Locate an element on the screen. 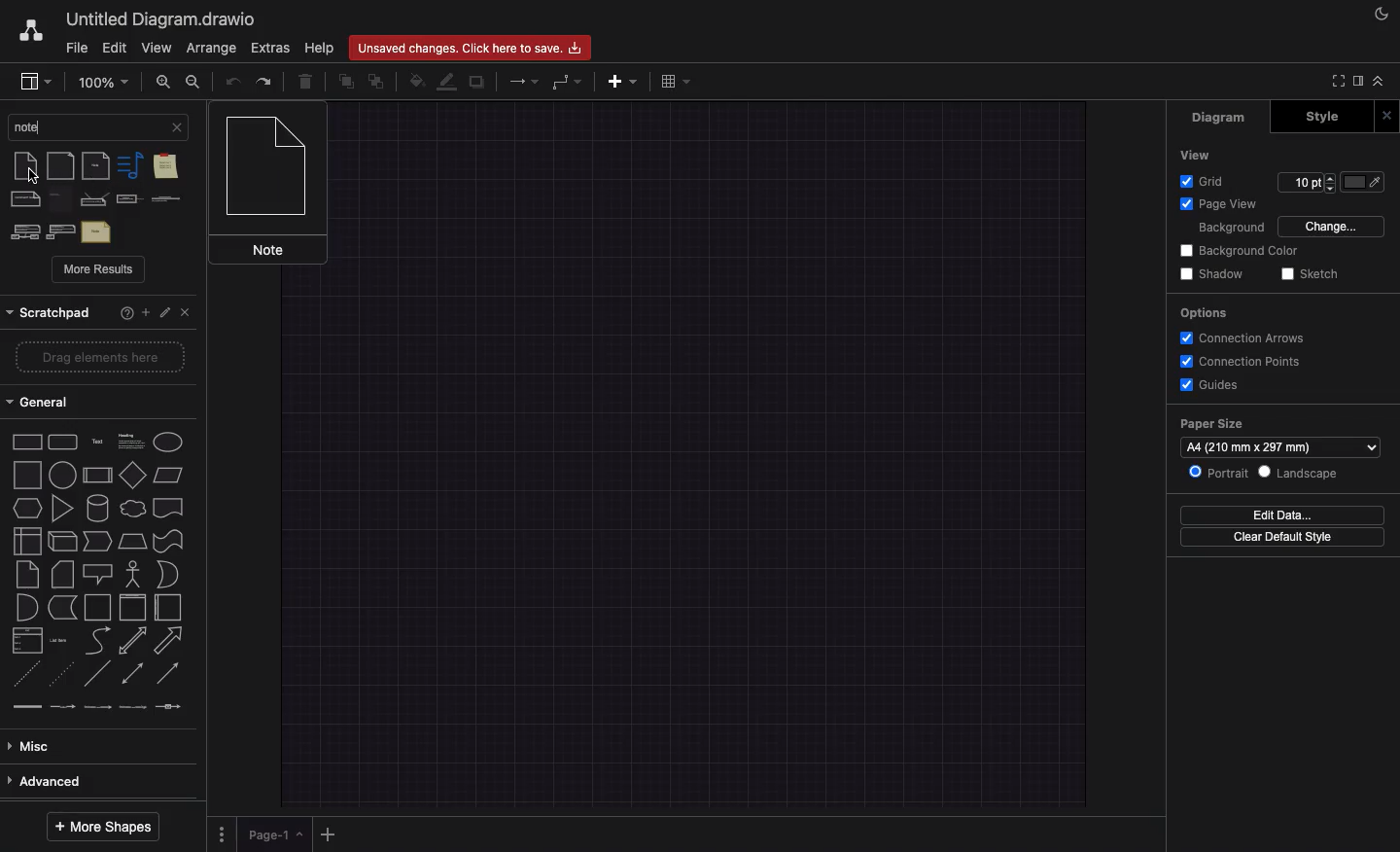  note  is located at coordinates (23, 166).